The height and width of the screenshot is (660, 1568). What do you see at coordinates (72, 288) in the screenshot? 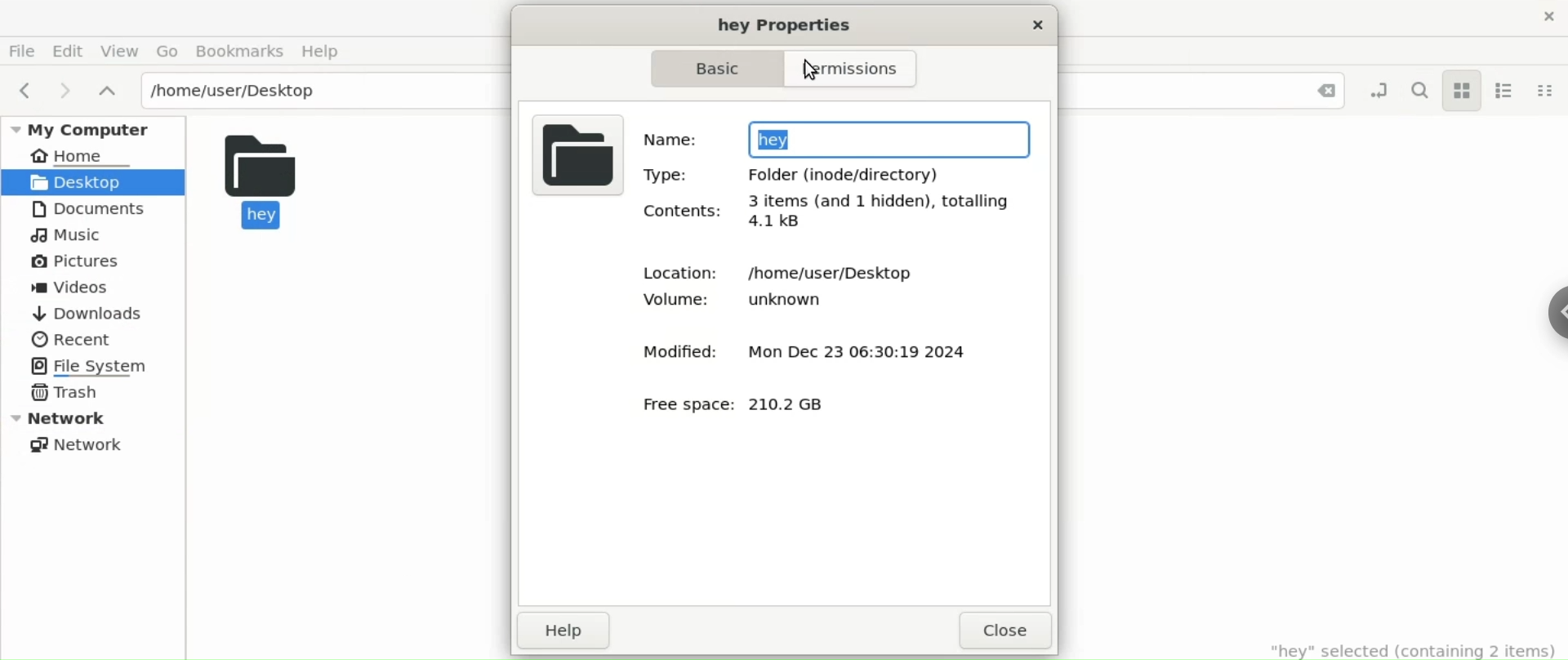
I see `Videos` at bounding box center [72, 288].